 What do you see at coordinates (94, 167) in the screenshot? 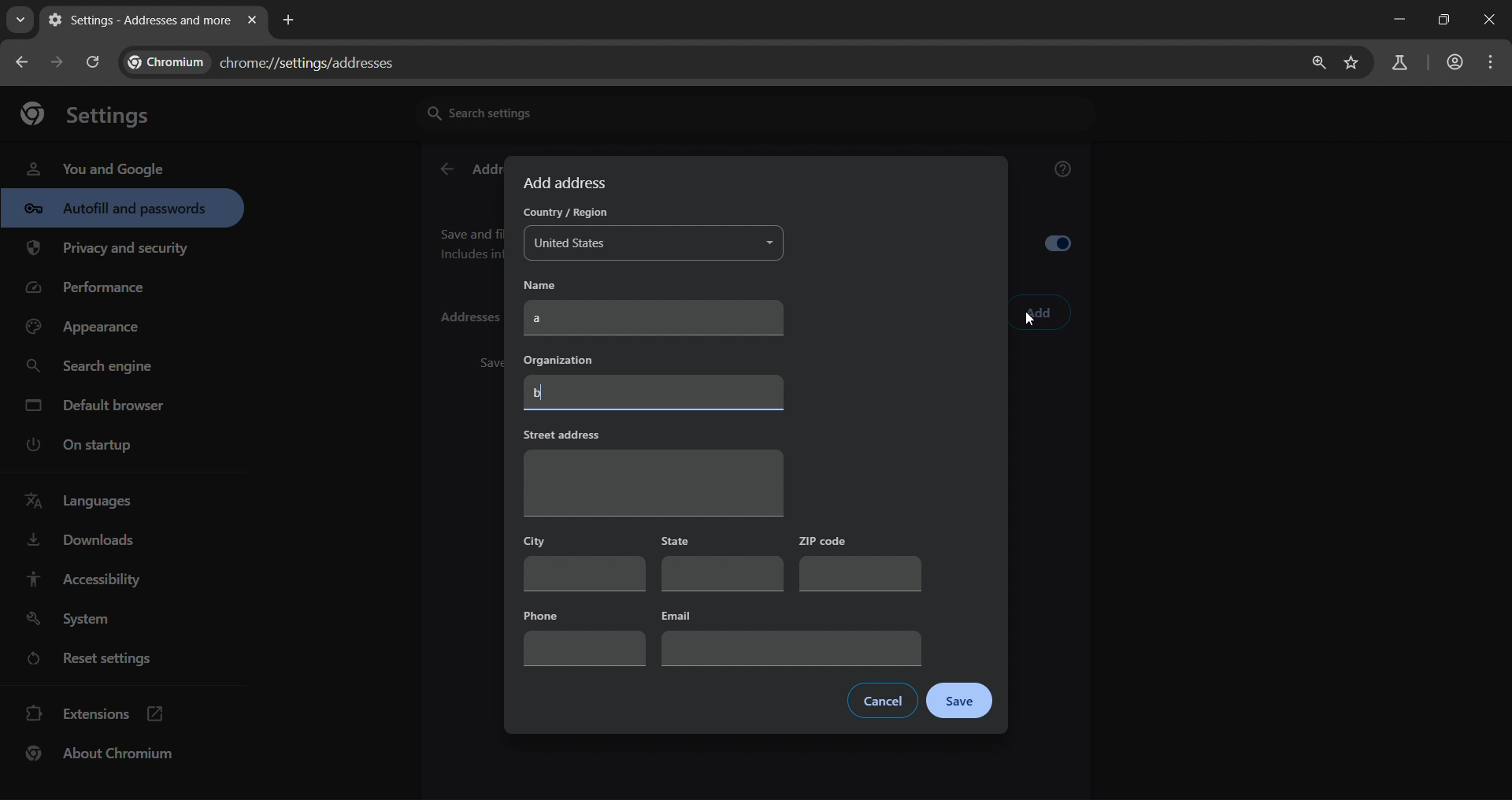
I see `you and google ` at bounding box center [94, 167].